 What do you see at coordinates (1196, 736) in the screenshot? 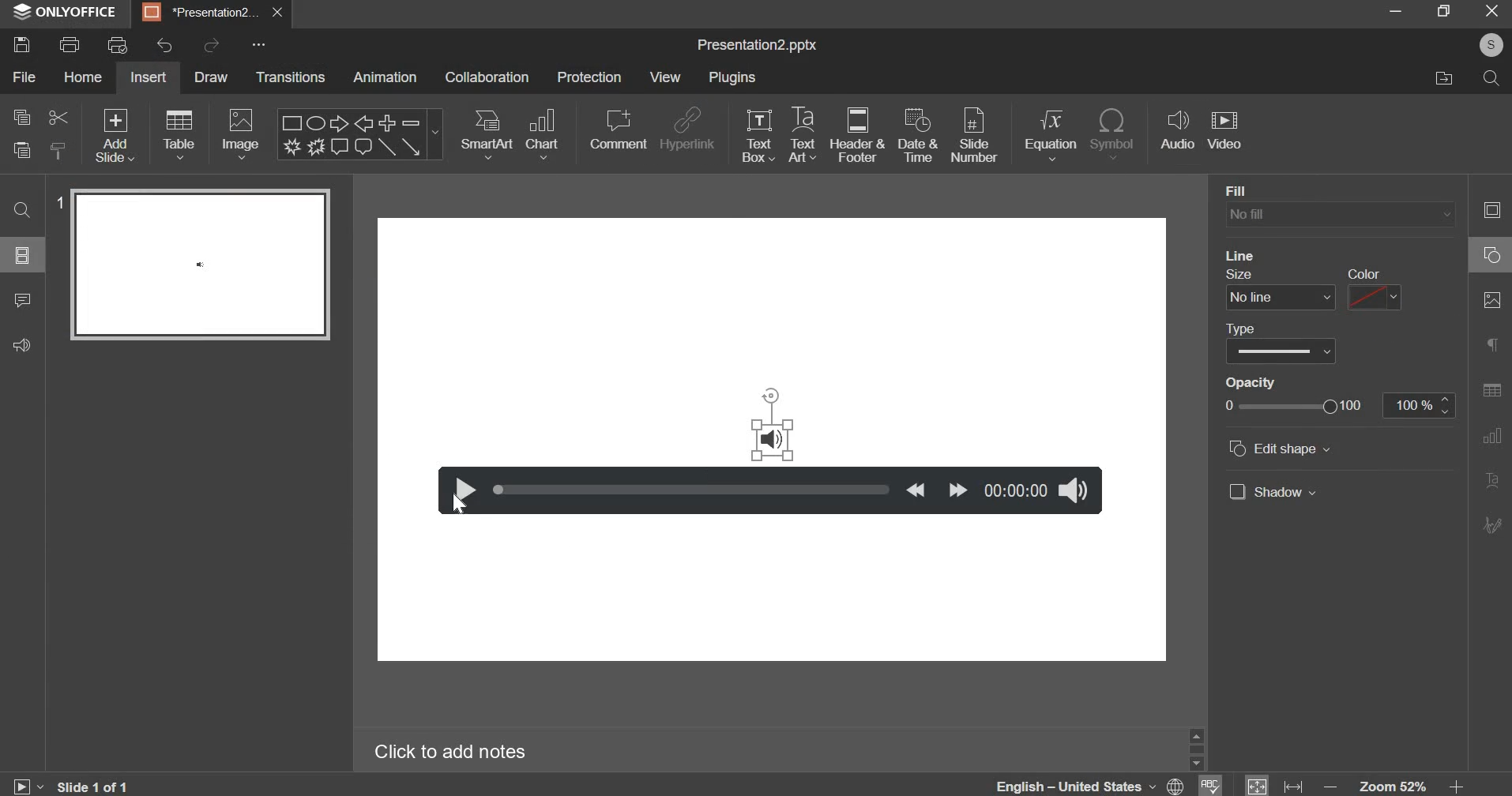
I see `scroll up` at bounding box center [1196, 736].